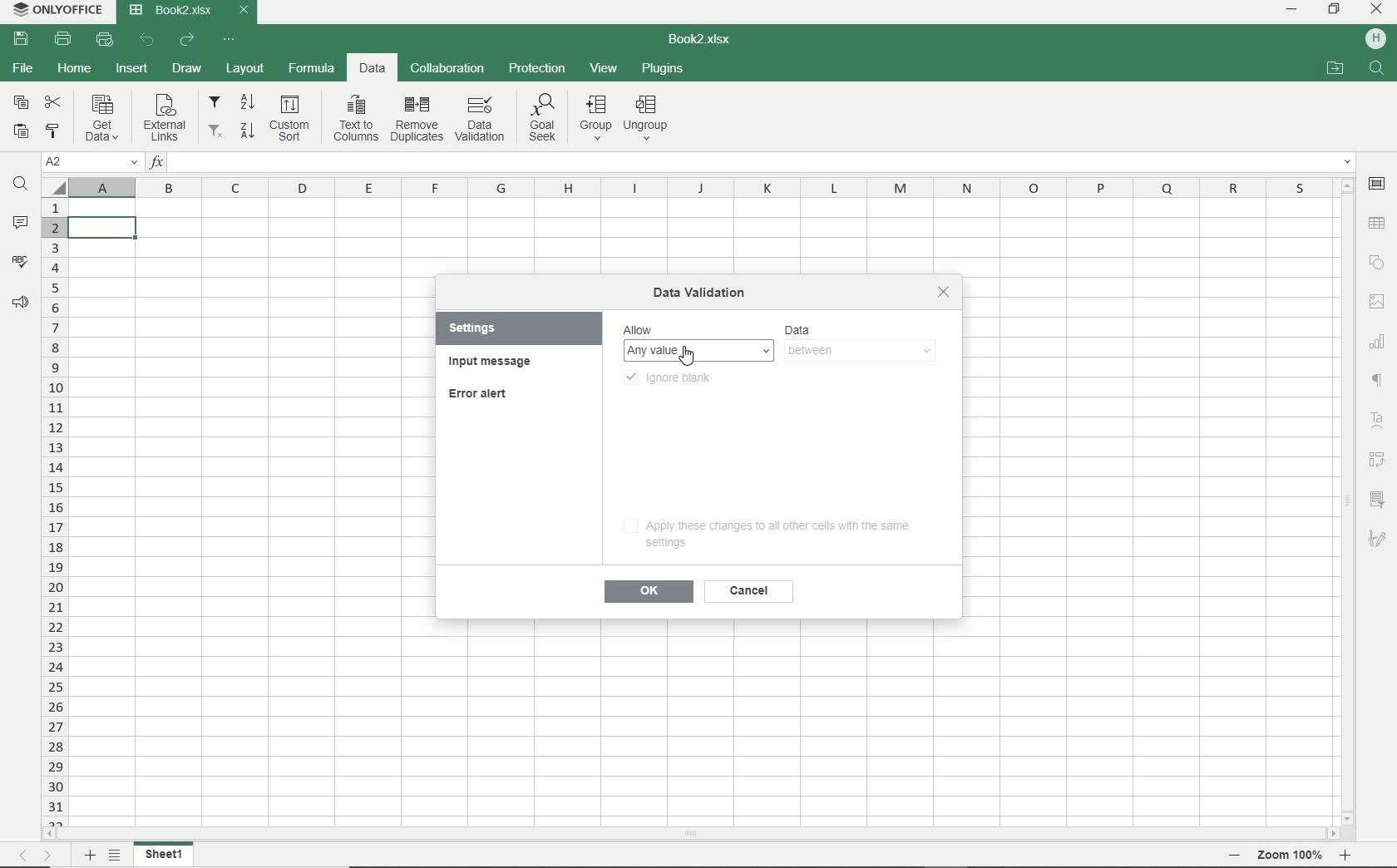  I want to click on INSERT, so click(133, 66).